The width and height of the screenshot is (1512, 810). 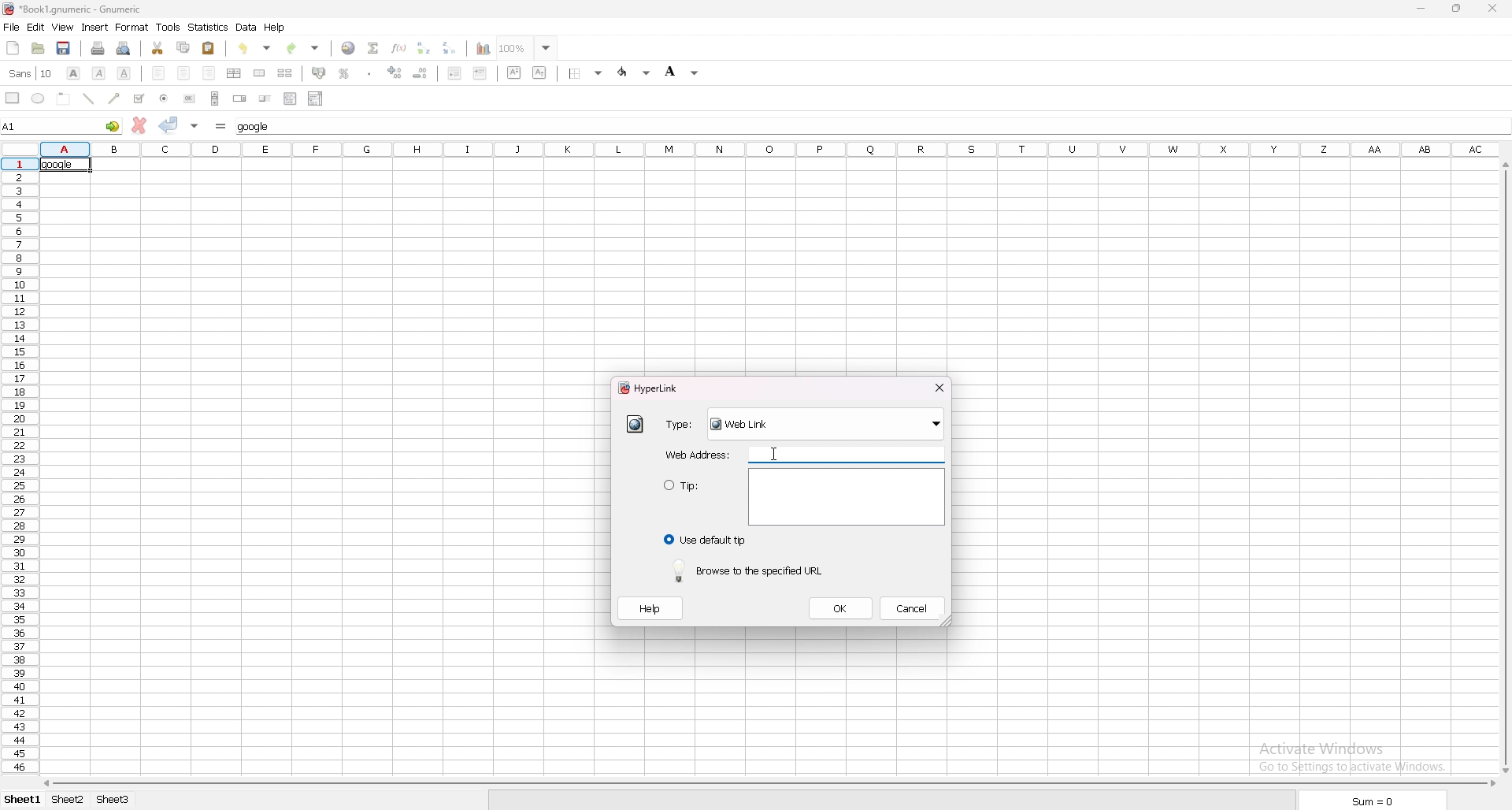 I want to click on scroll bar, so click(x=215, y=98).